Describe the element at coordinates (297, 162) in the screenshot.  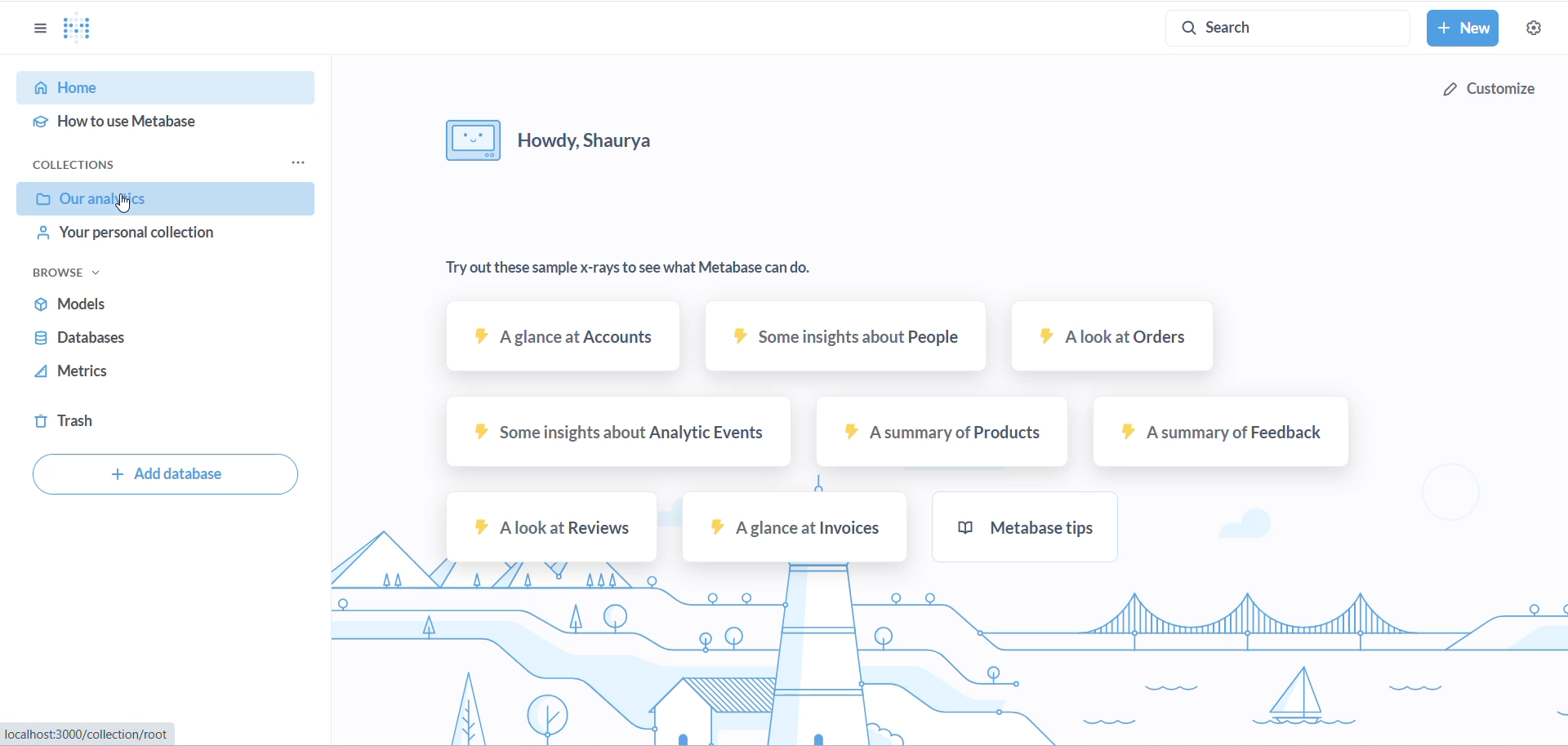
I see `collections menu` at that location.